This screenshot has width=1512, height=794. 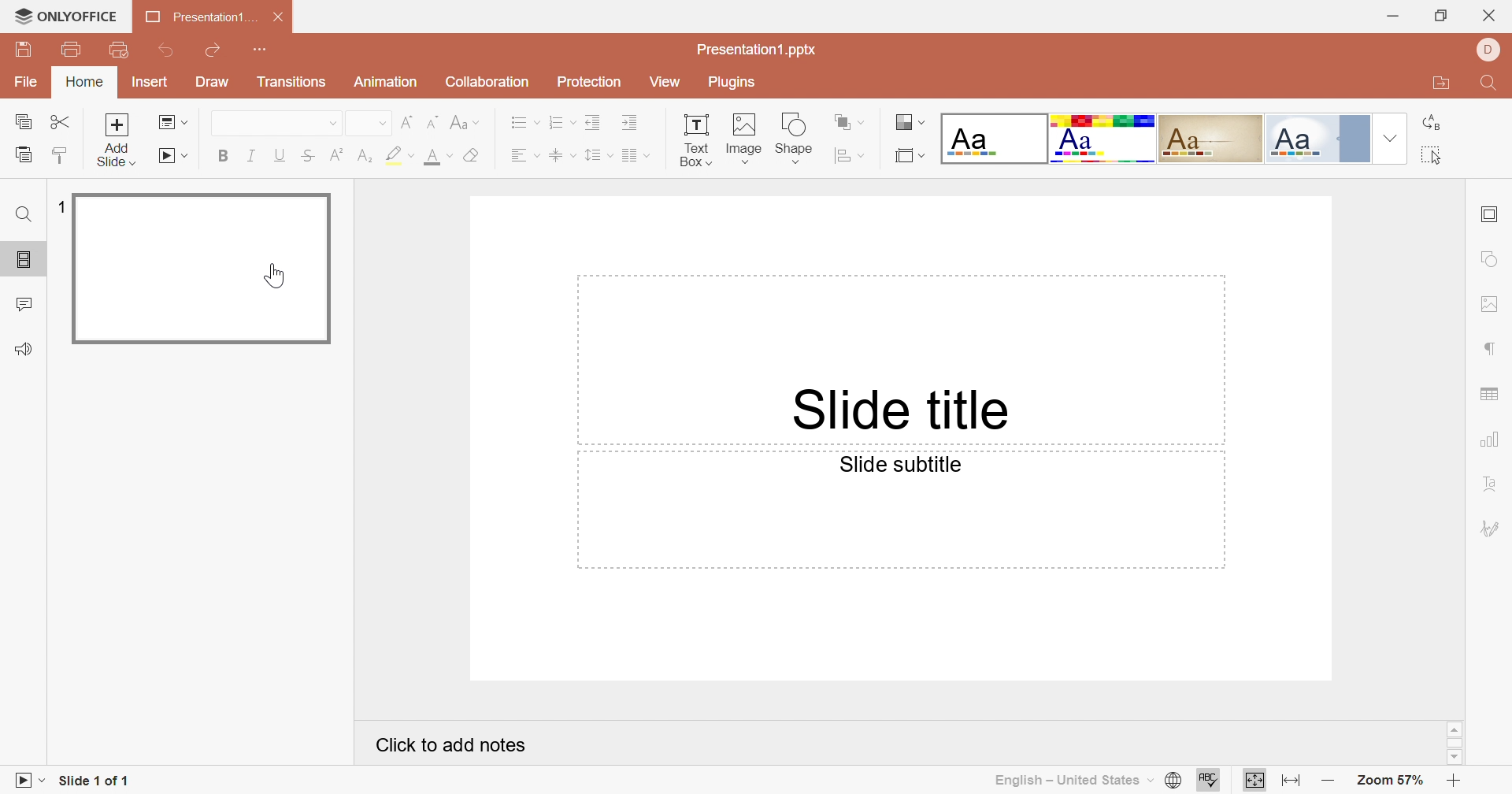 What do you see at coordinates (1319, 141) in the screenshot?
I see `Official` at bounding box center [1319, 141].